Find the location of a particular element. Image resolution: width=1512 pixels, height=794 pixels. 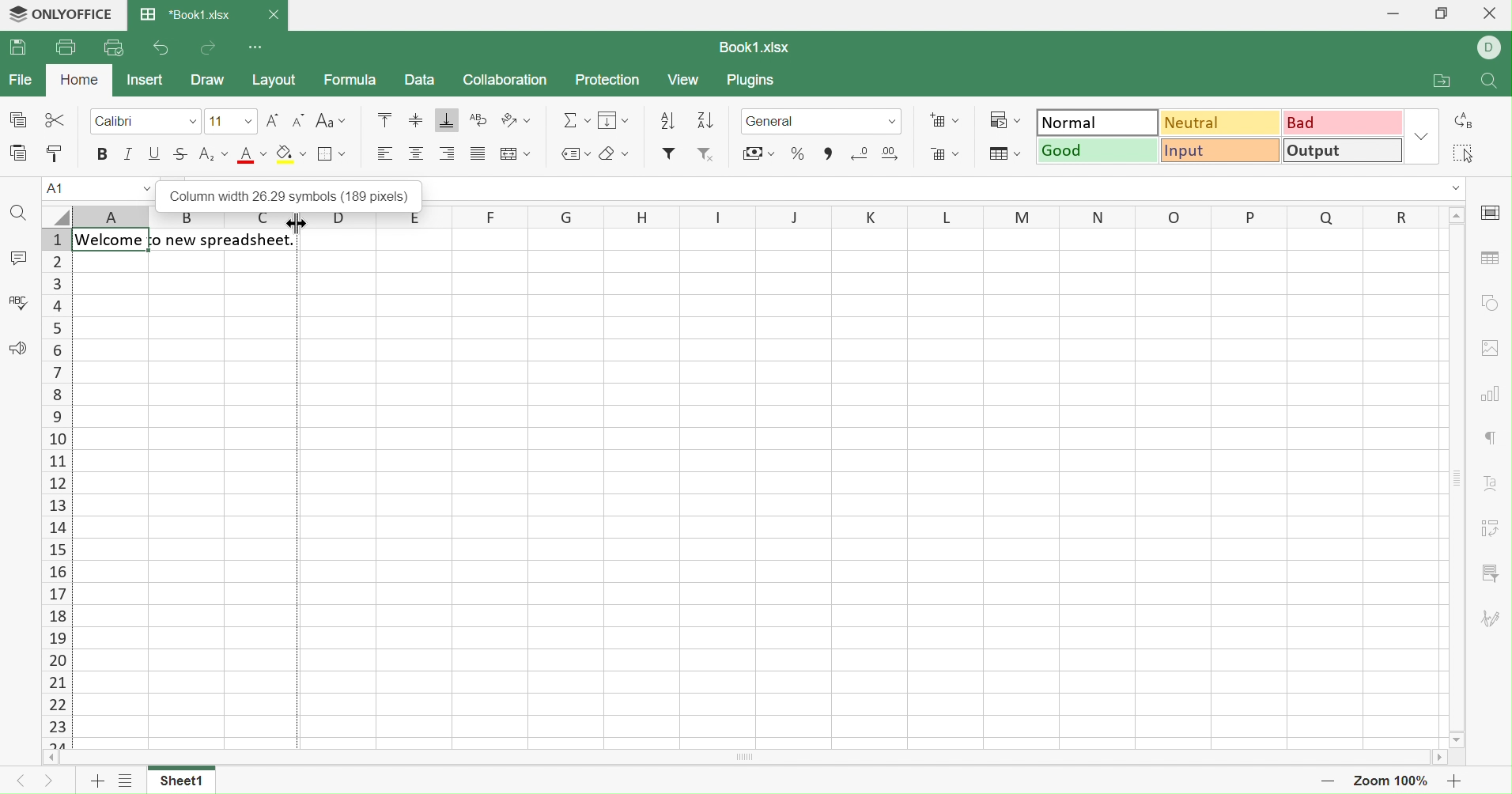

Align Left is located at coordinates (385, 153).